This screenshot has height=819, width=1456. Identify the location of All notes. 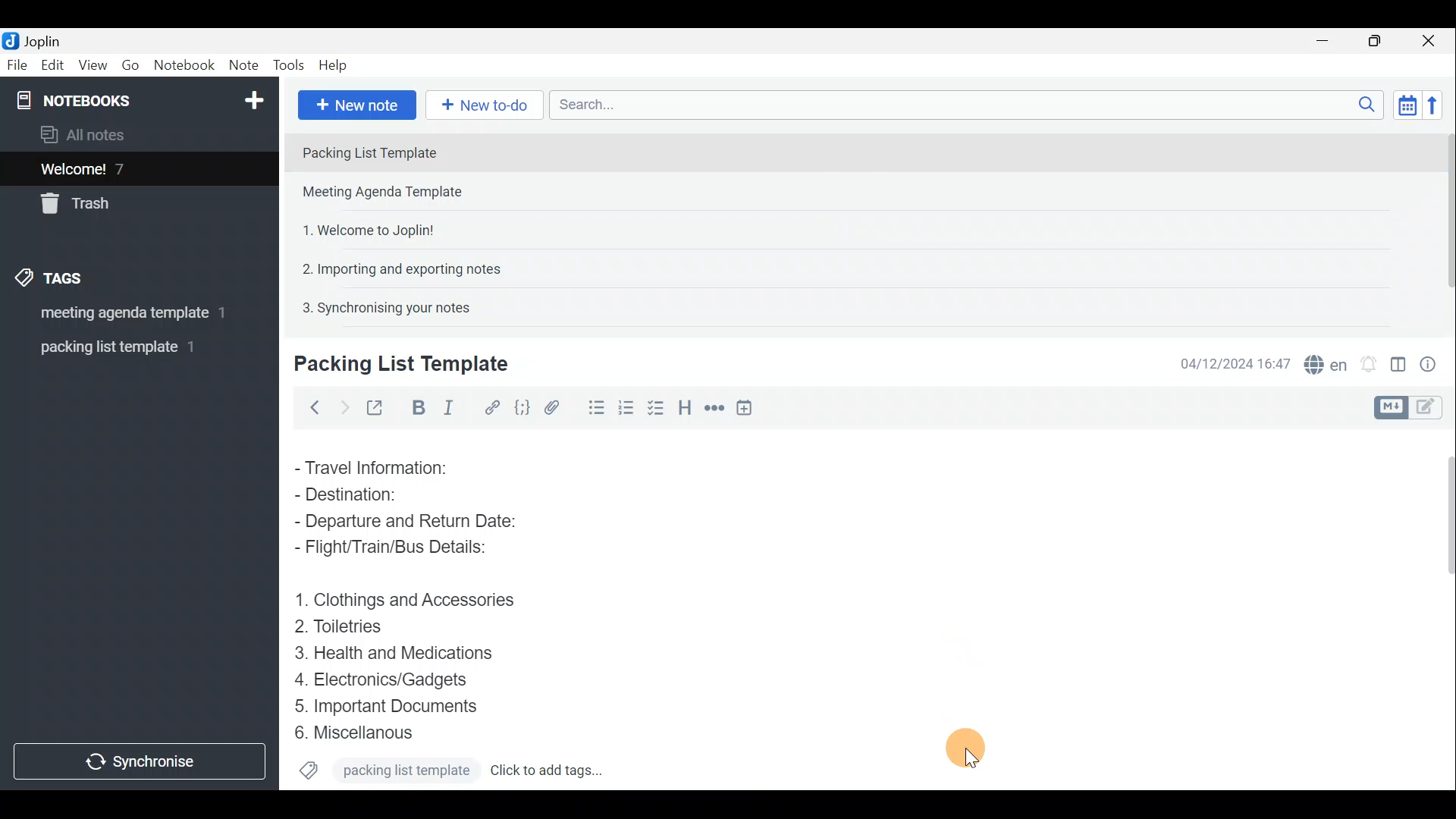
(88, 134).